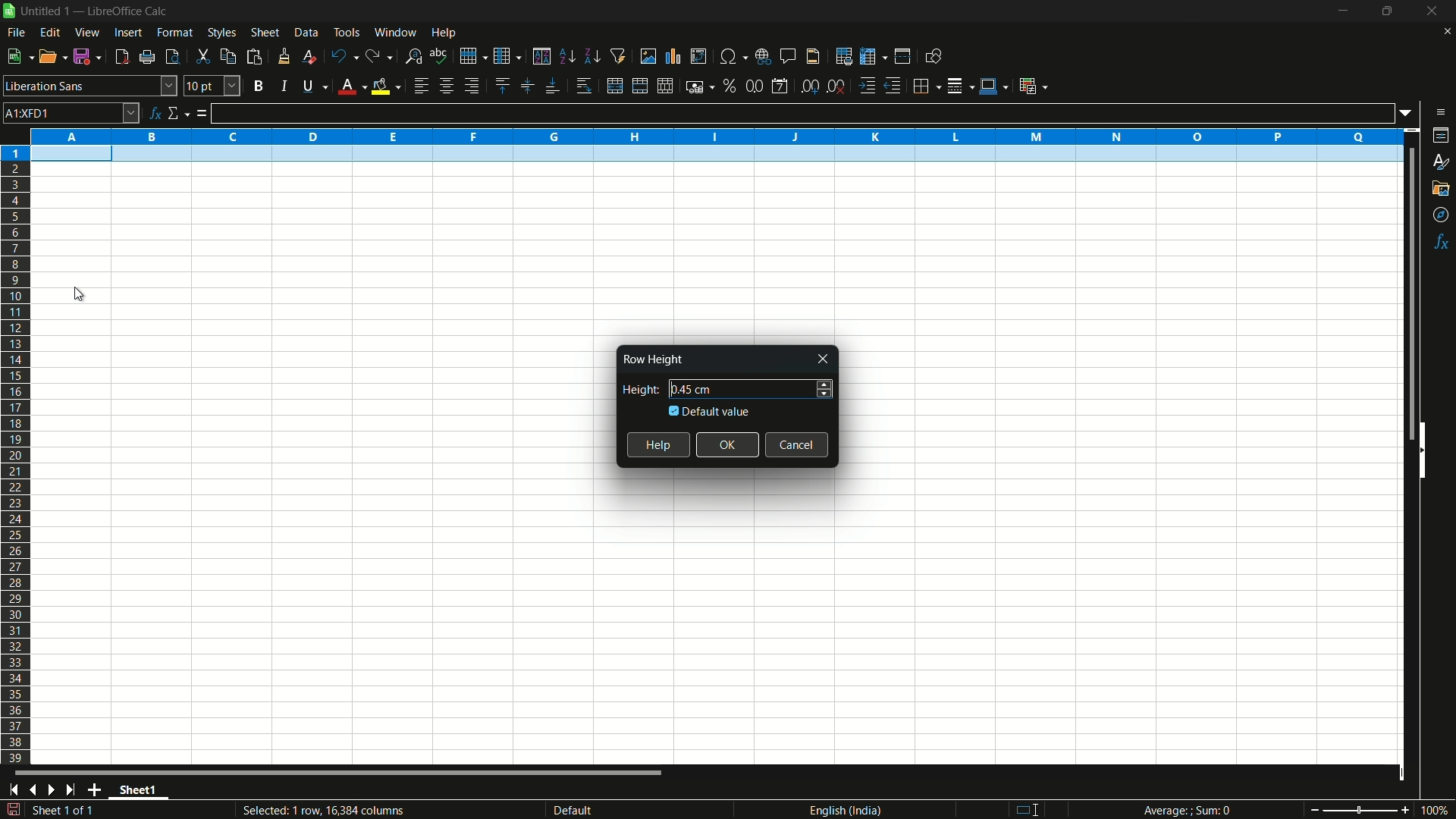 This screenshot has width=1456, height=819. I want to click on print area, so click(844, 56).